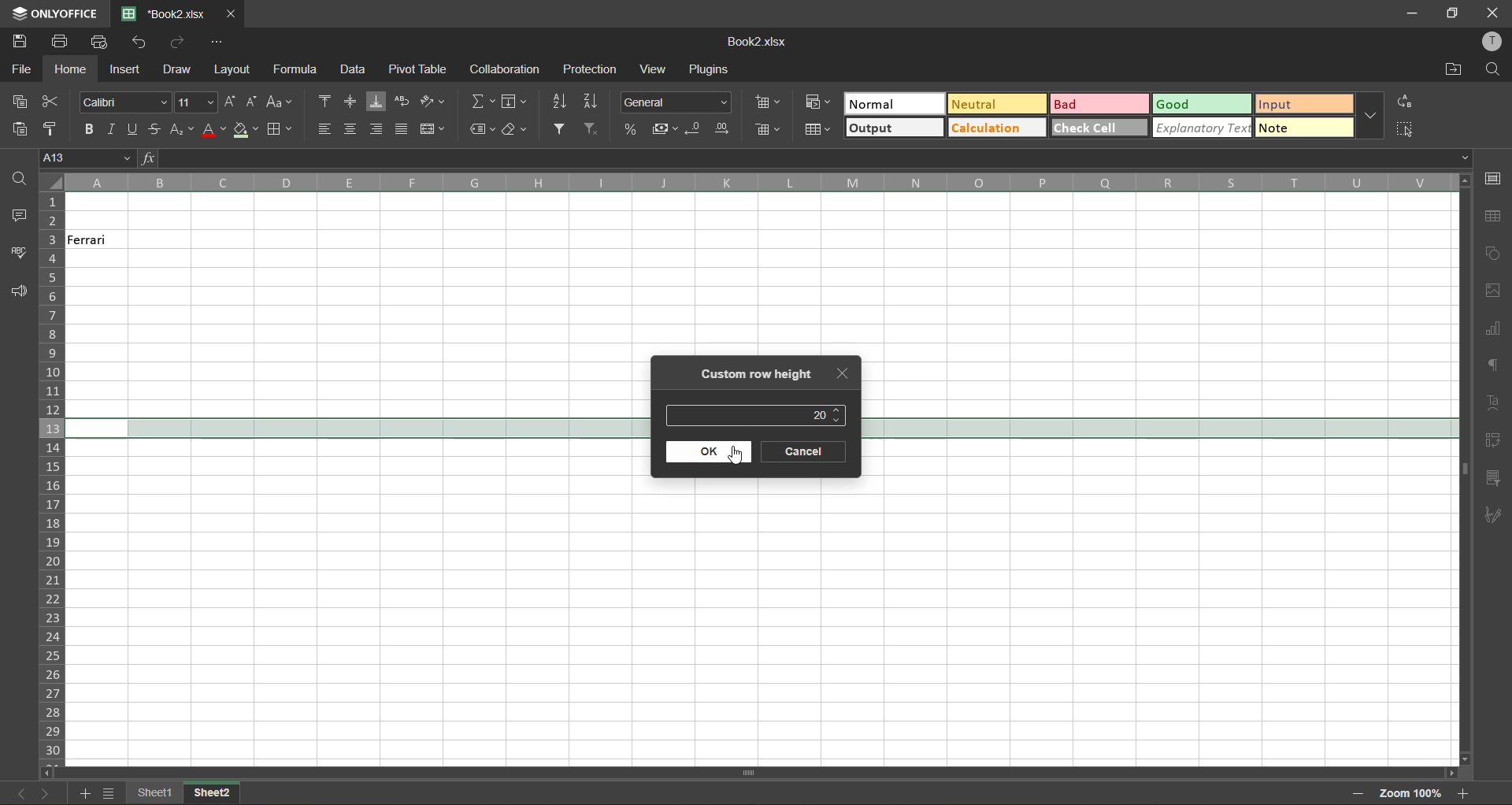 This screenshot has height=805, width=1512. What do you see at coordinates (179, 71) in the screenshot?
I see `draw` at bounding box center [179, 71].